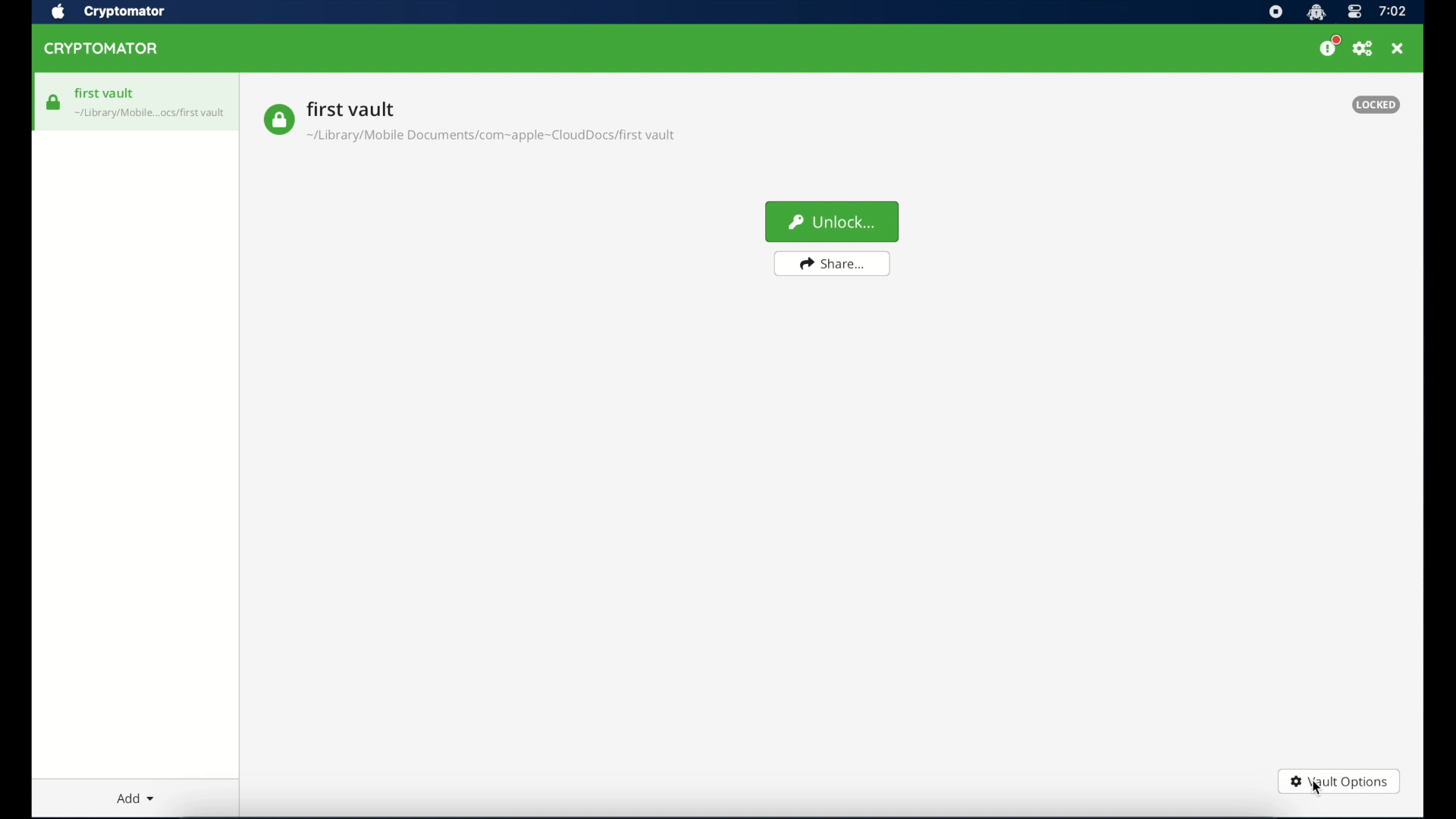 The height and width of the screenshot is (819, 1456). I want to click on cryptomator, so click(102, 49).